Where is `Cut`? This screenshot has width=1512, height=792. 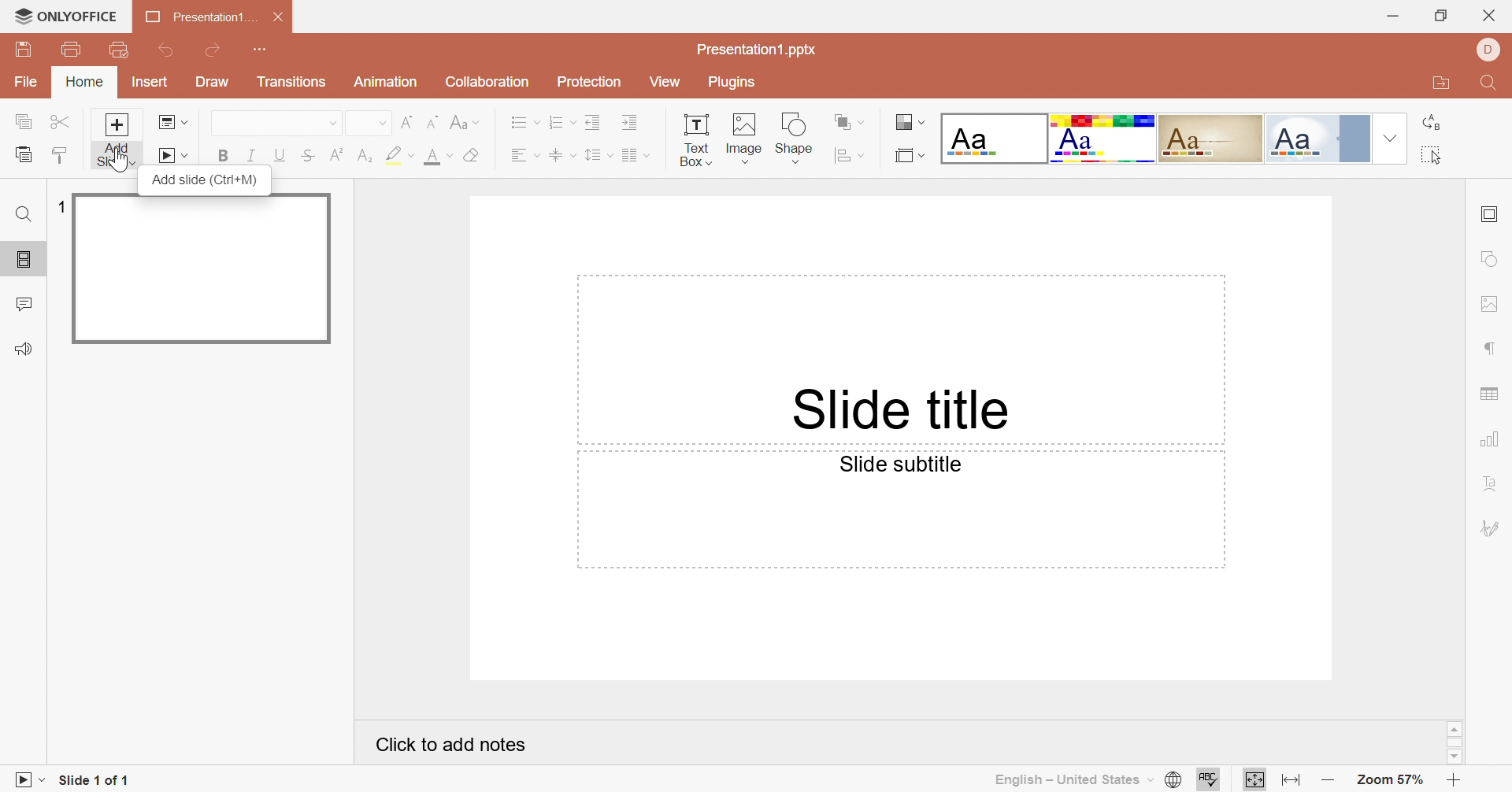 Cut is located at coordinates (64, 121).